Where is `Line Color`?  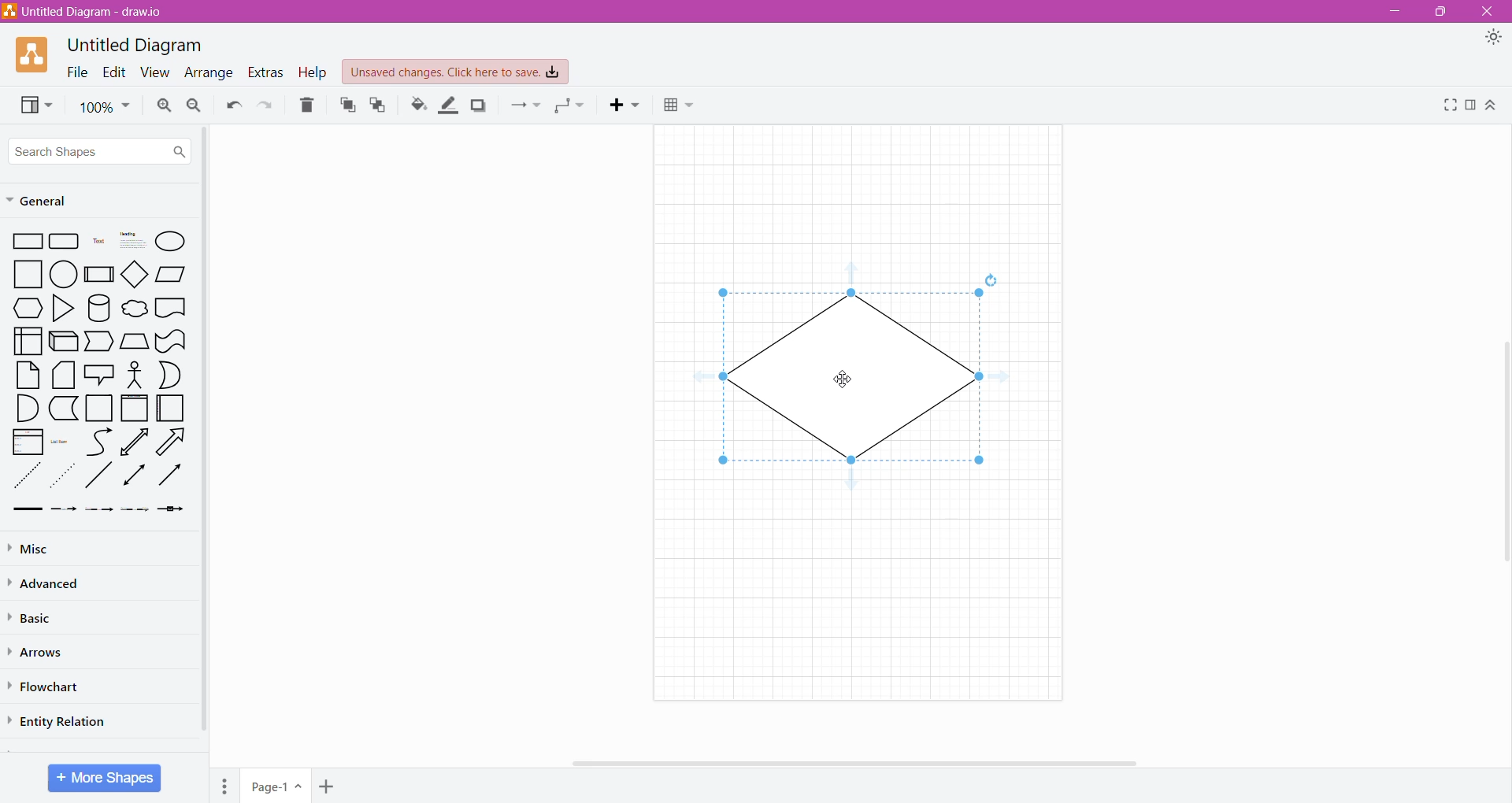
Line Color is located at coordinates (448, 105).